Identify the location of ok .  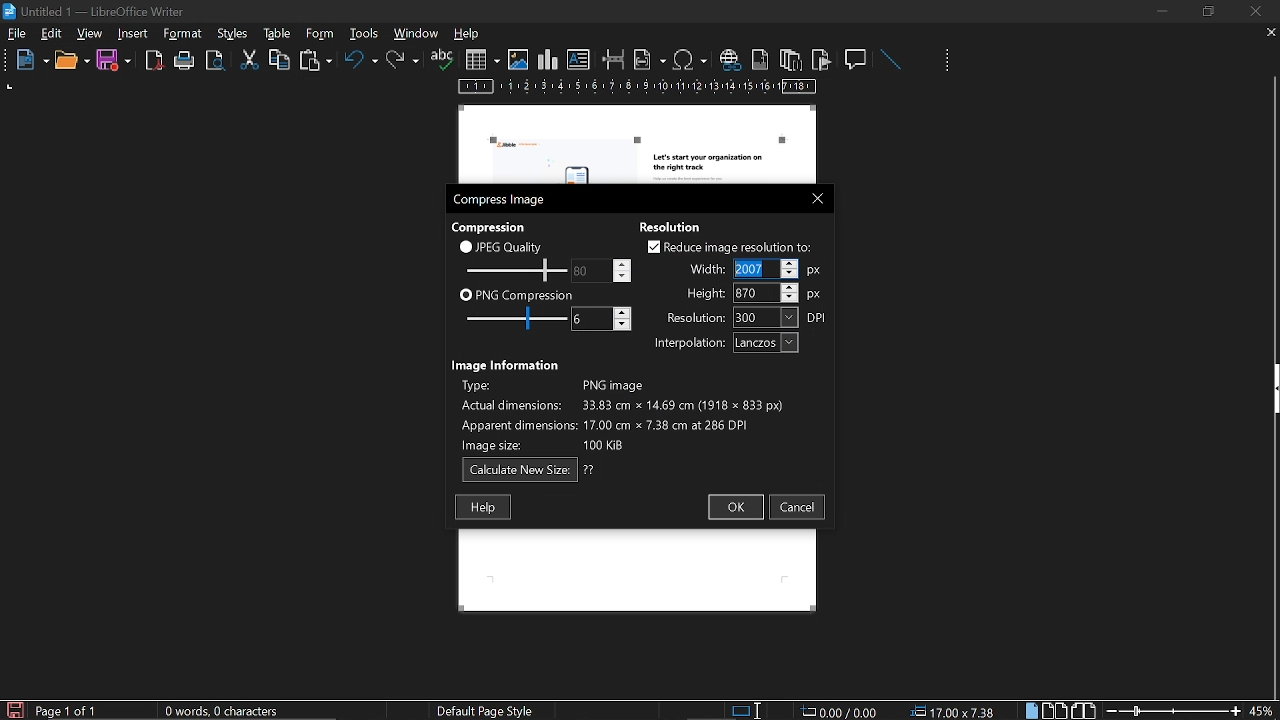
(734, 508).